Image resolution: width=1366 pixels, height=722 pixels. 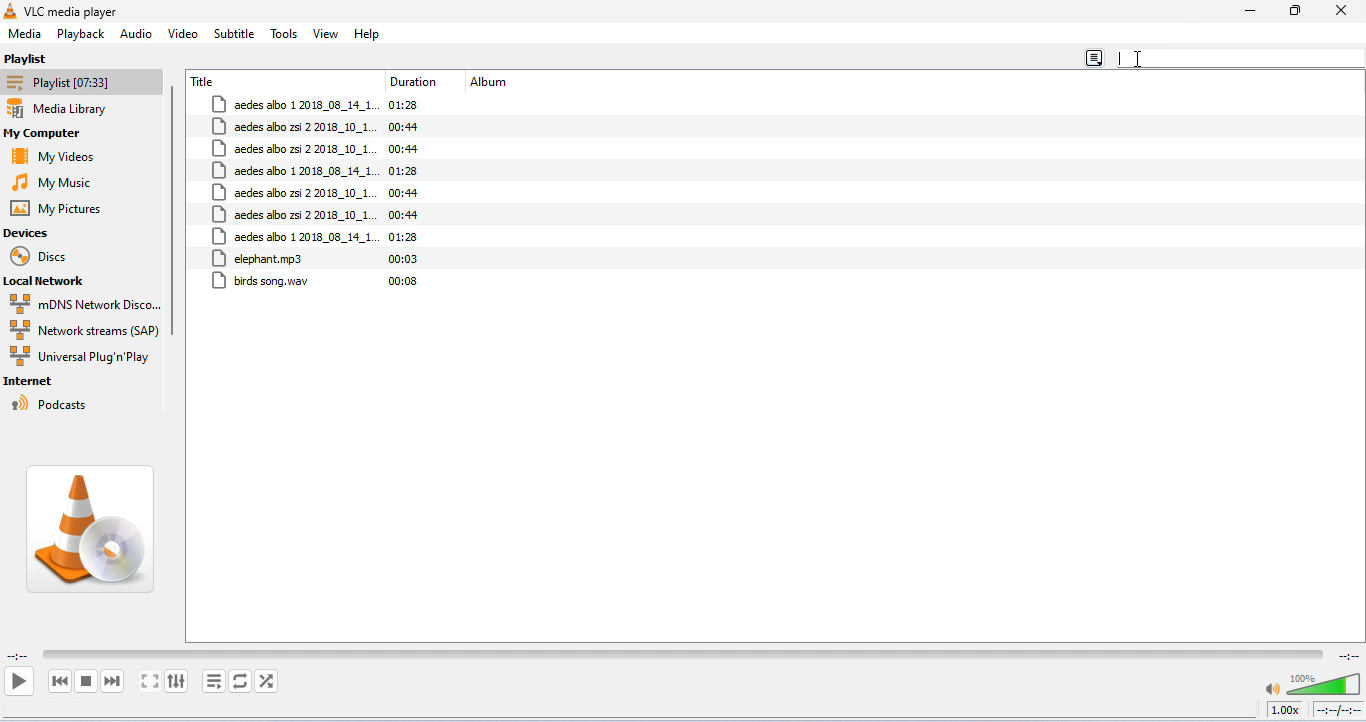 What do you see at coordinates (83, 82) in the screenshot?
I see `playlist [07:33]` at bounding box center [83, 82].